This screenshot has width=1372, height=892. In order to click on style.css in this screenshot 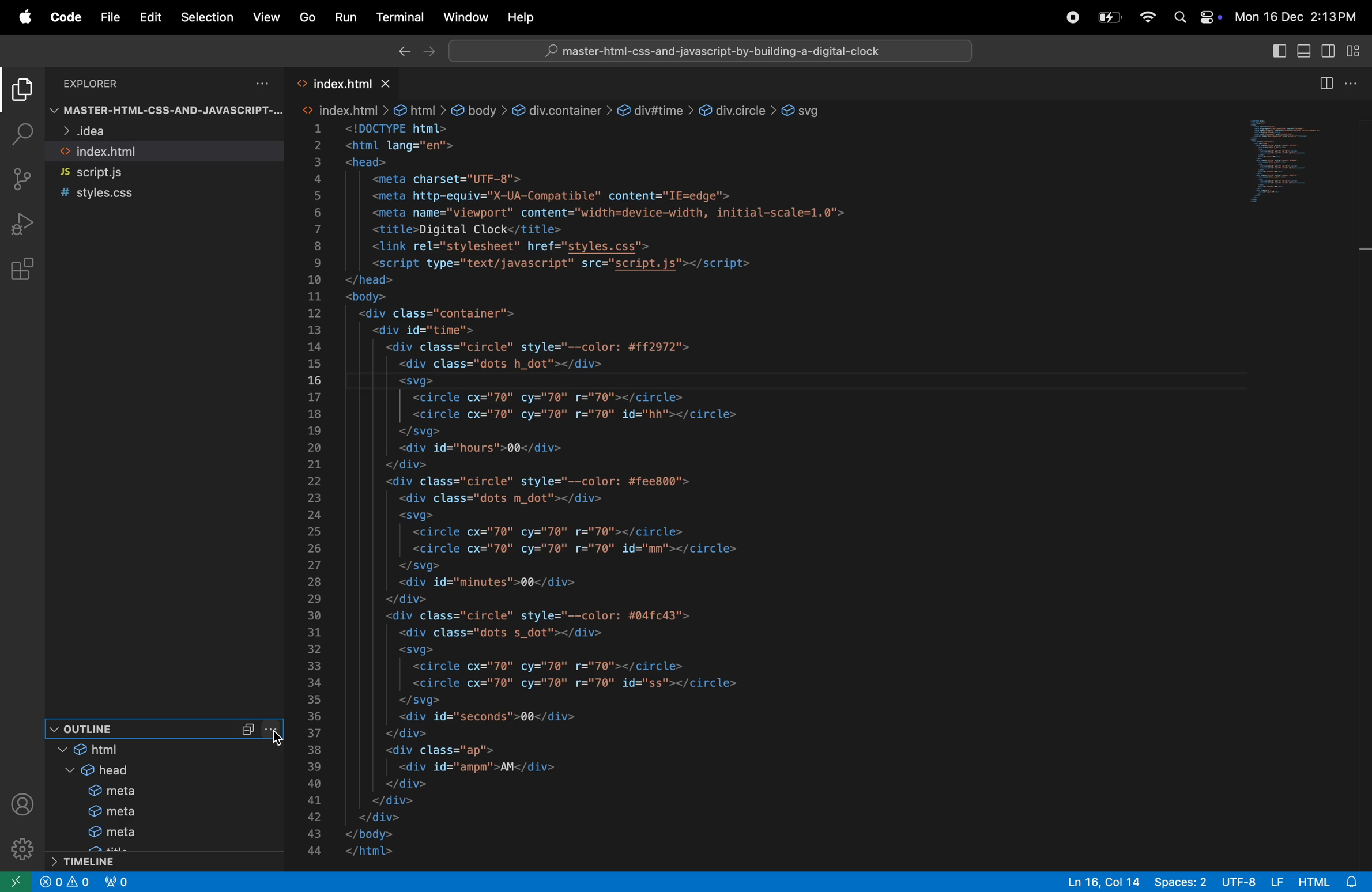, I will do `click(153, 194)`.